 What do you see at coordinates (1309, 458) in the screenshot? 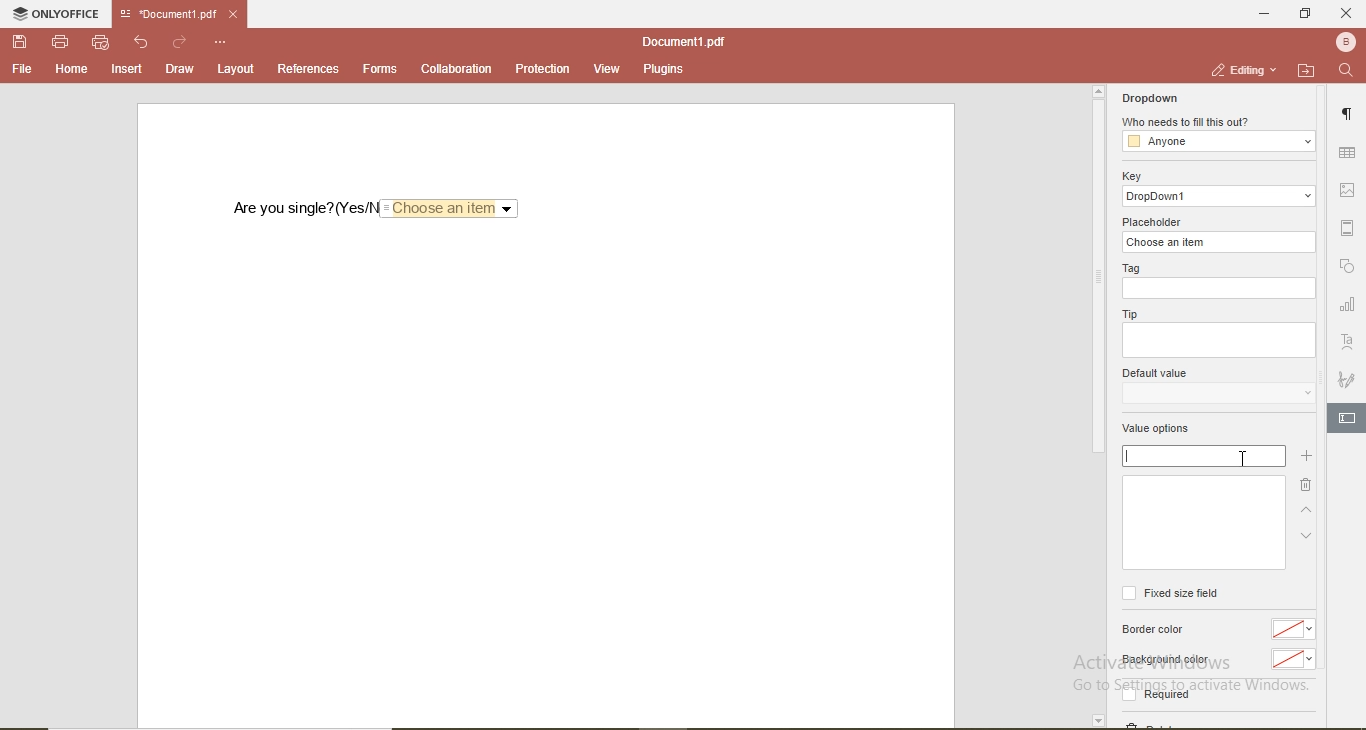
I see `add` at bounding box center [1309, 458].